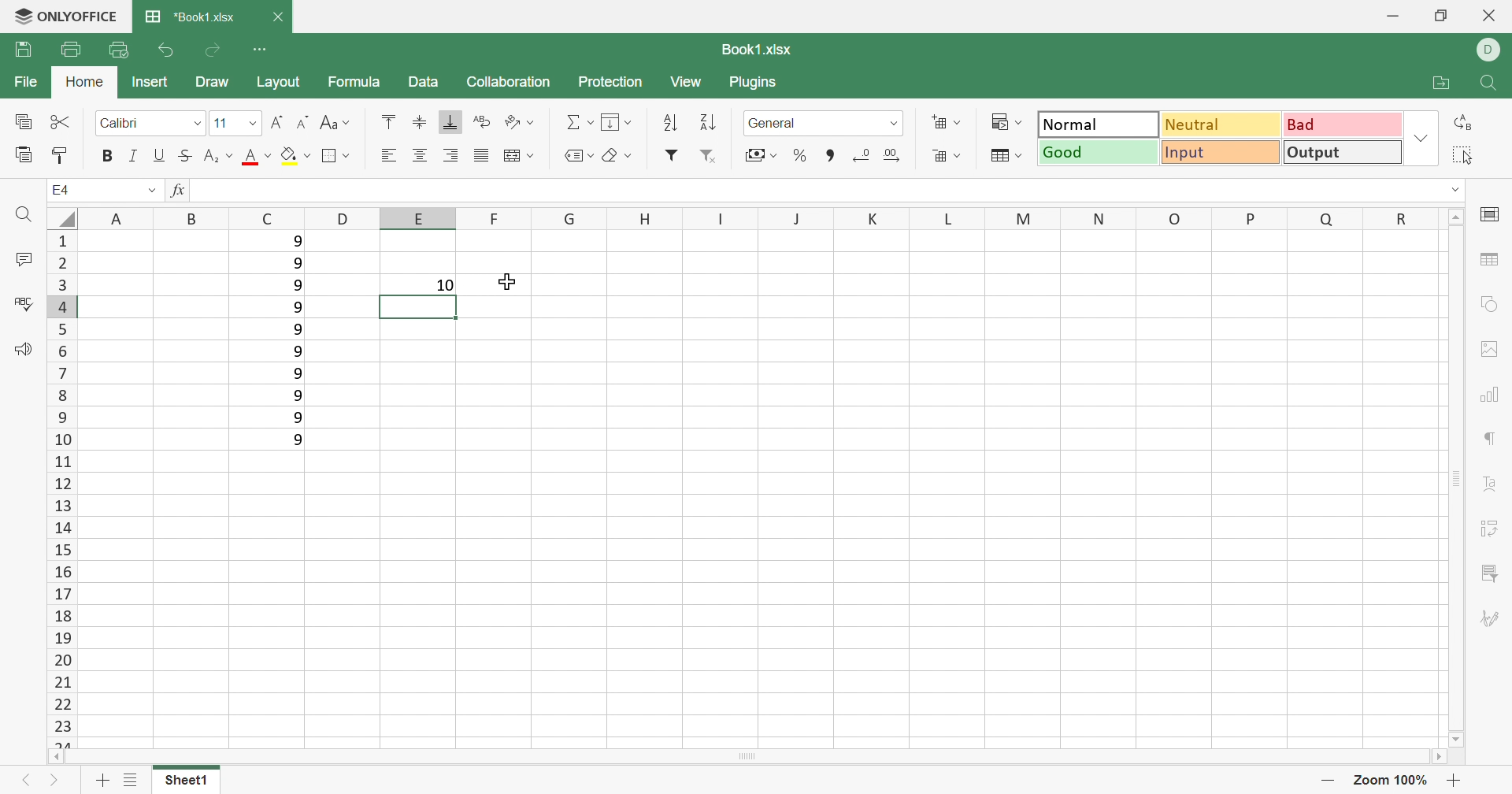 The height and width of the screenshot is (794, 1512). Describe the element at coordinates (284, 18) in the screenshot. I see `Close` at that location.